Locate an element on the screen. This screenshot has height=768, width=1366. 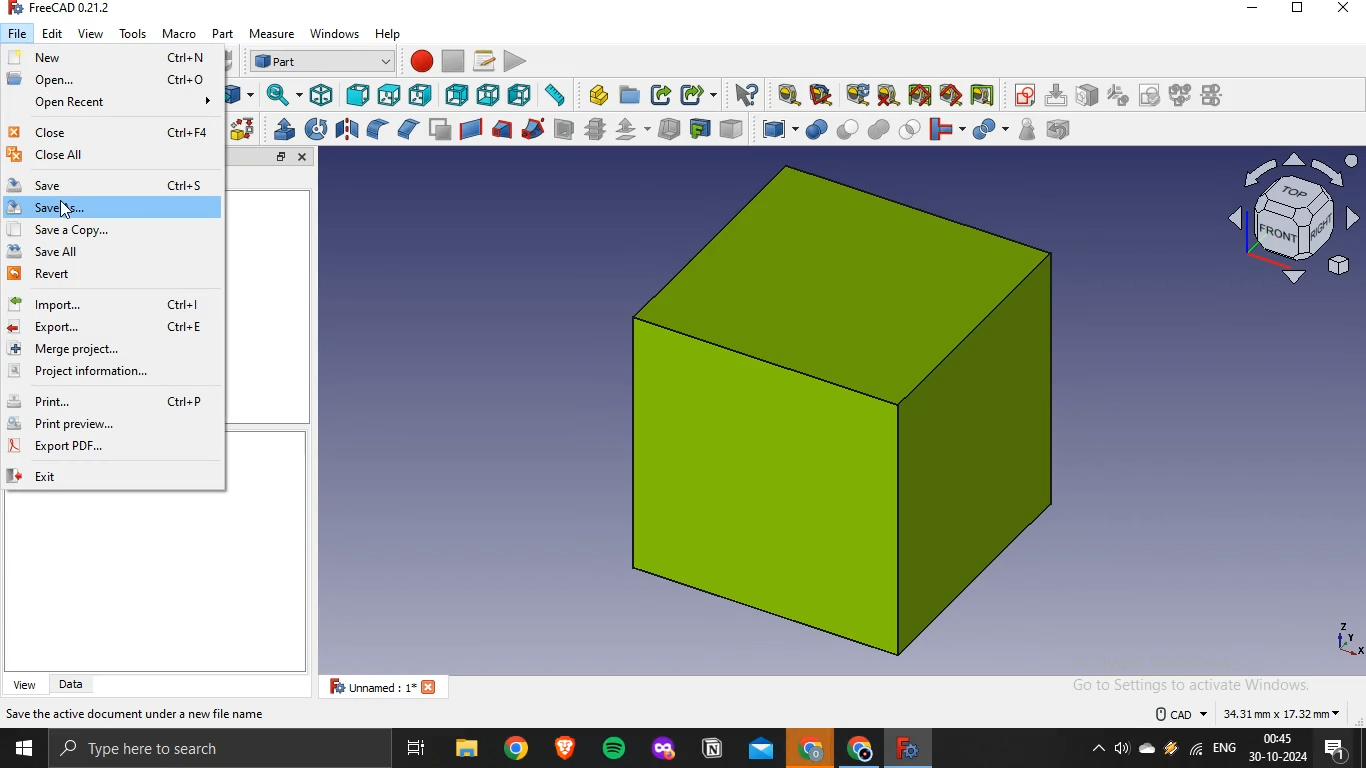
toggle delta is located at coordinates (984, 93).